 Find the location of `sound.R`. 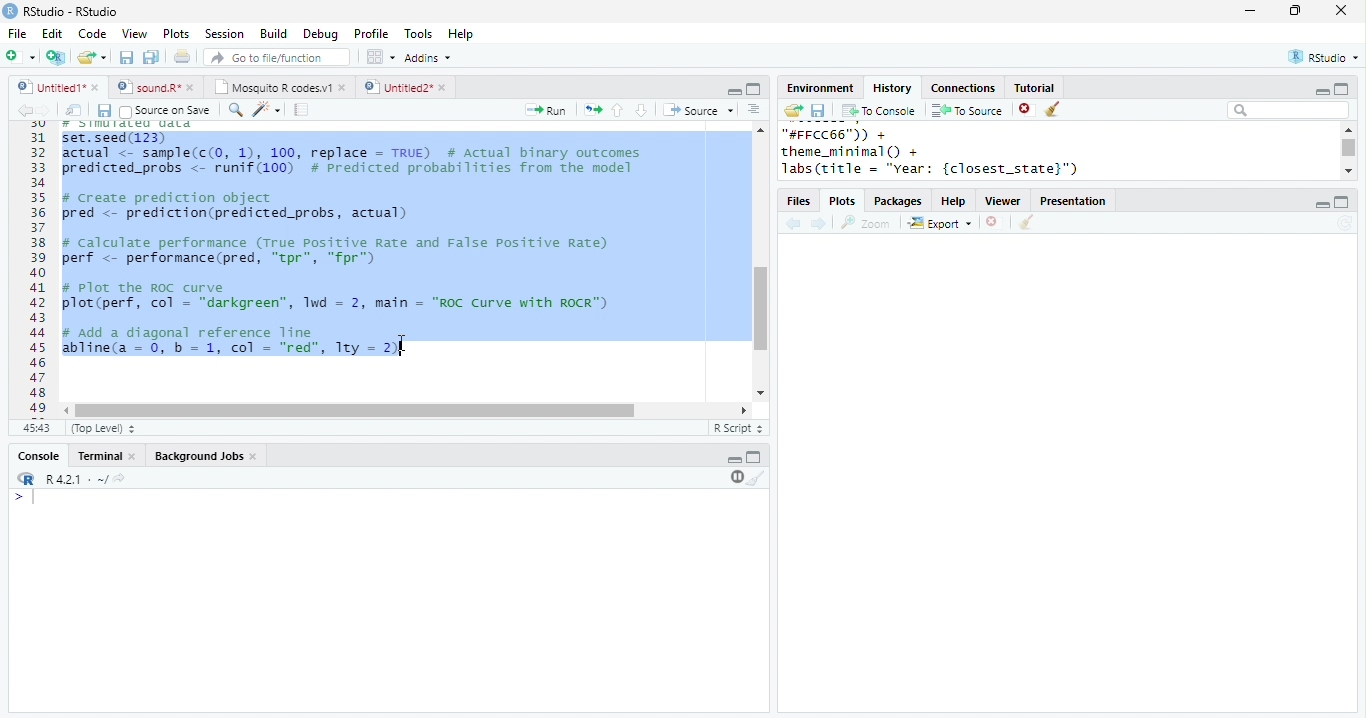

sound.R is located at coordinates (149, 87).